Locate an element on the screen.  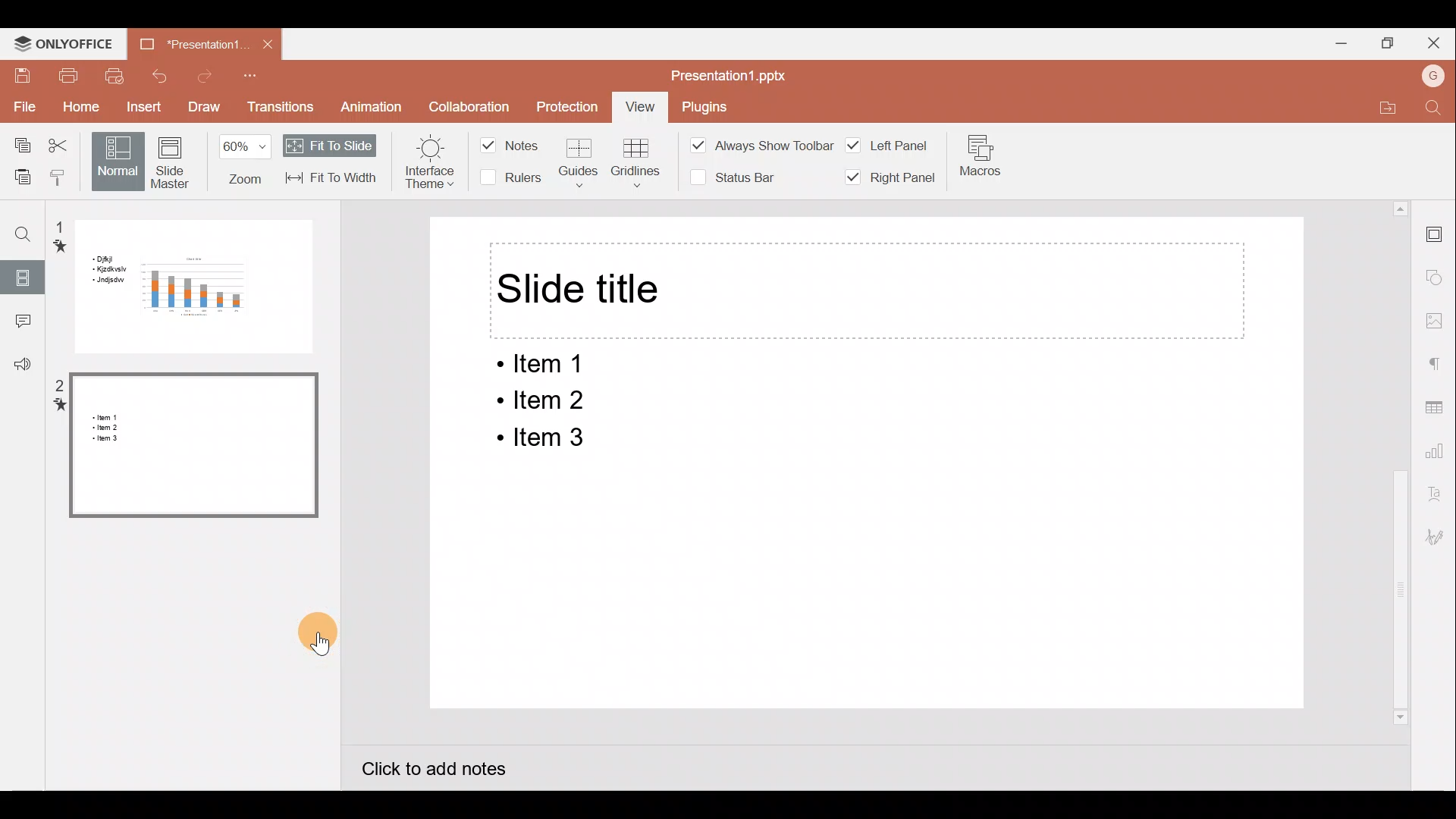
ltem 2 is located at coordinates (537, 400).